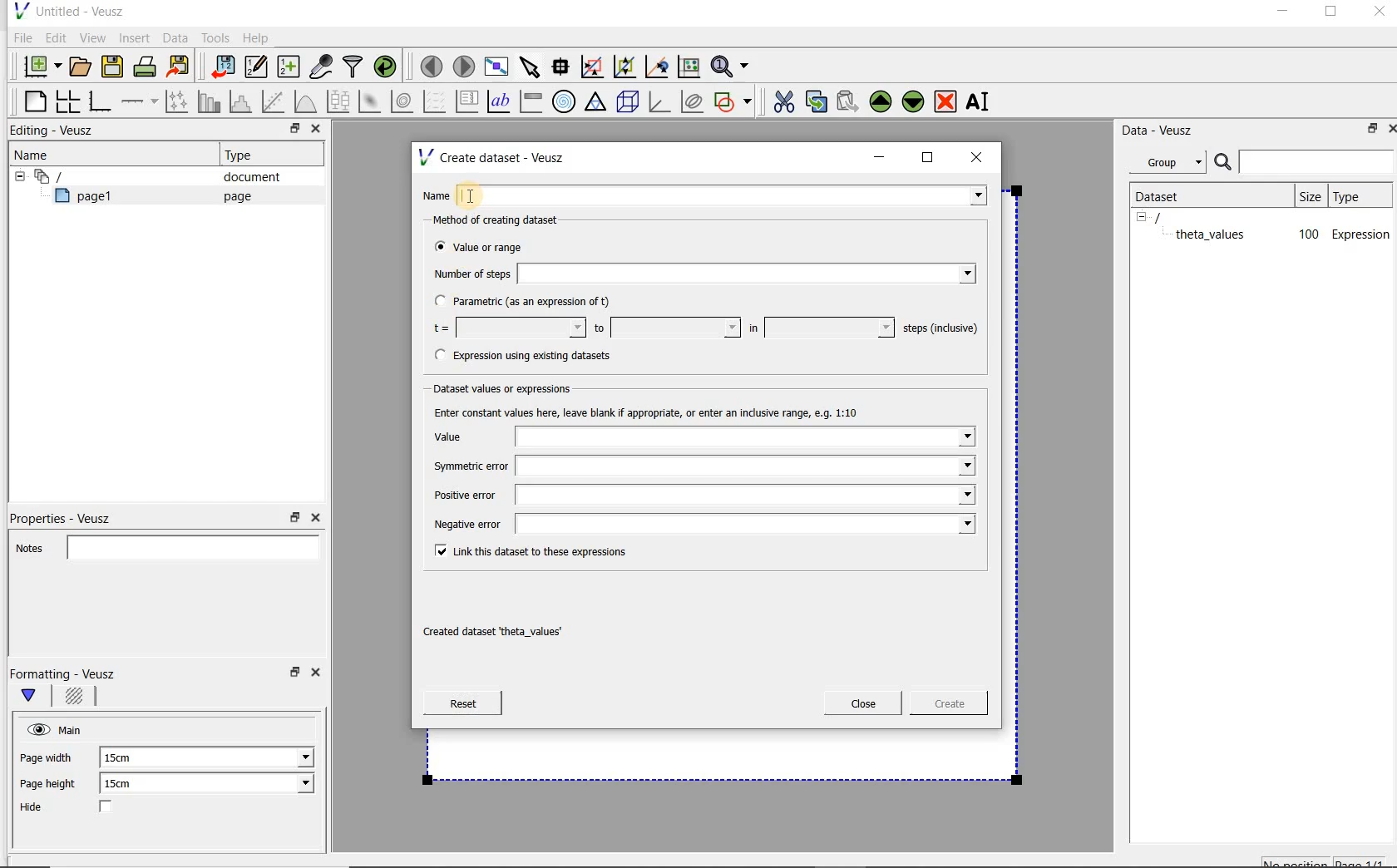  Describe the element at coordinates (702, 467) in the screenshot. I see `Symmetric error` at that location.